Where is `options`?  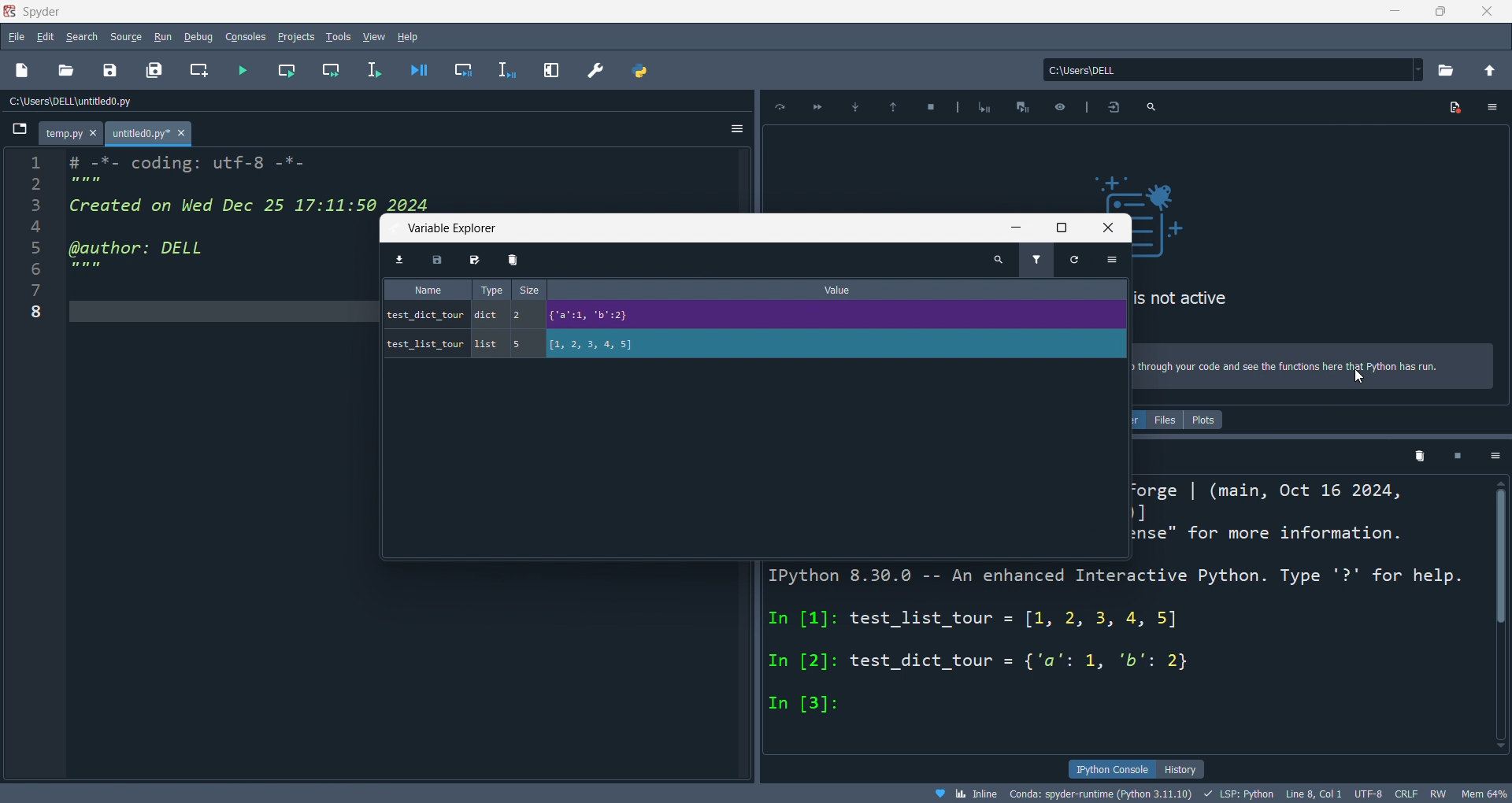
options is located at coordinates (1112, 261).